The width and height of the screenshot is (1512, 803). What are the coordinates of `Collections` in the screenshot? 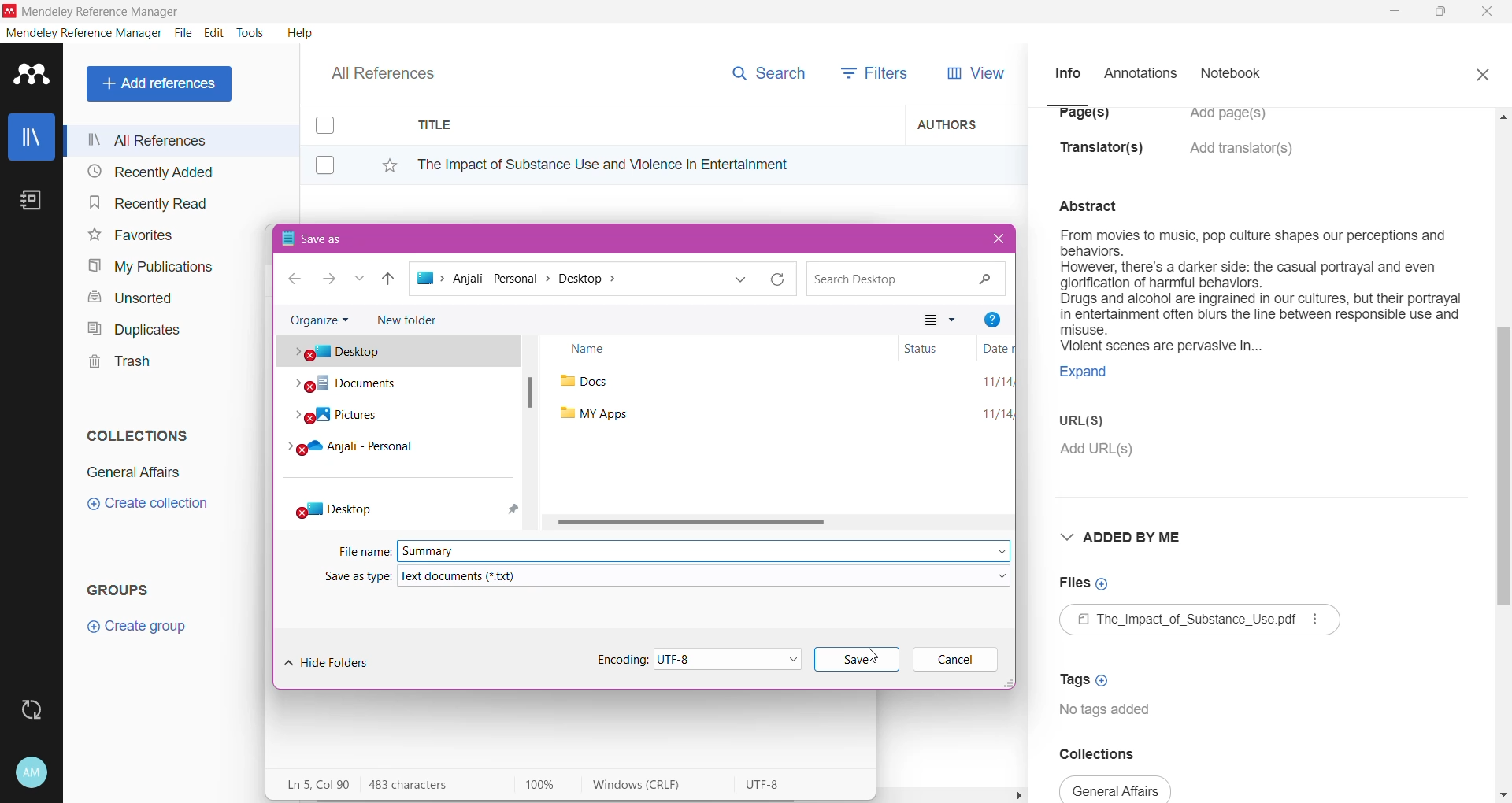 It's located at (133, 432).